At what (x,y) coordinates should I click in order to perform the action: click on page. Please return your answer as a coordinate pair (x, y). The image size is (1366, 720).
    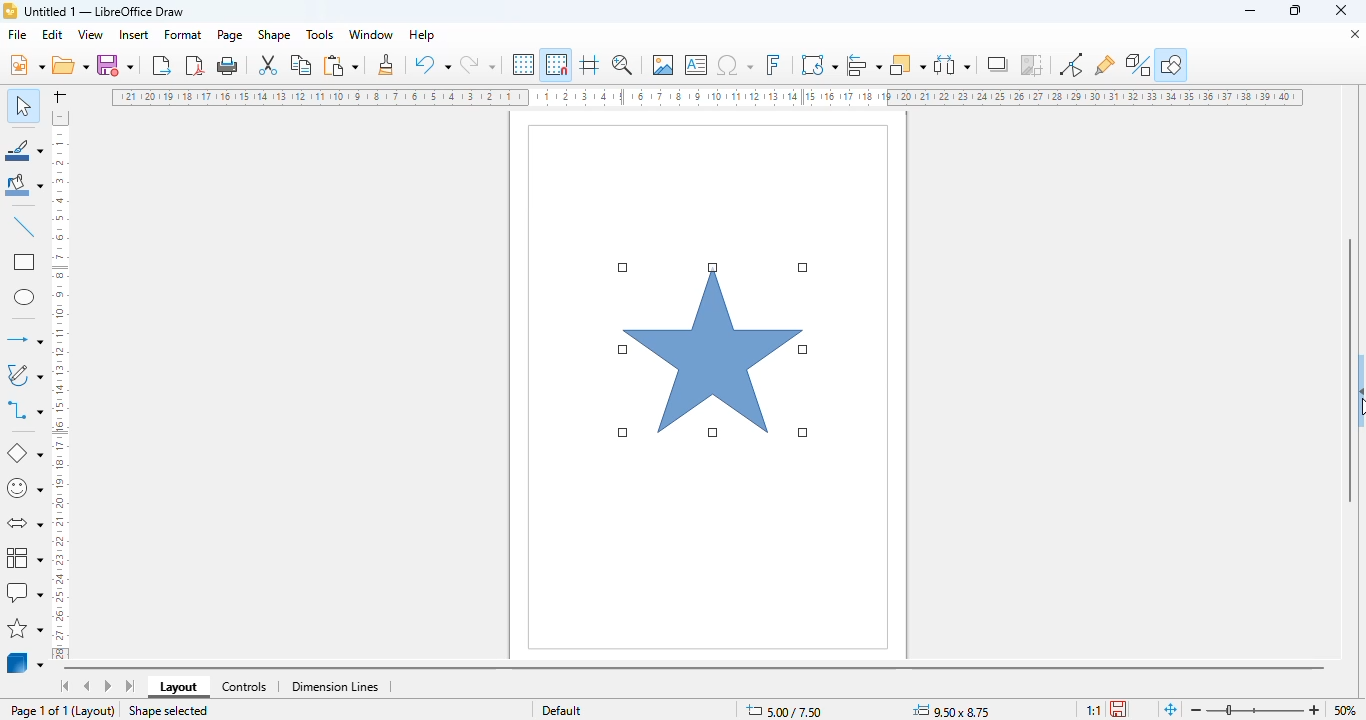
    Looking at the image, I should click on (231, 34).